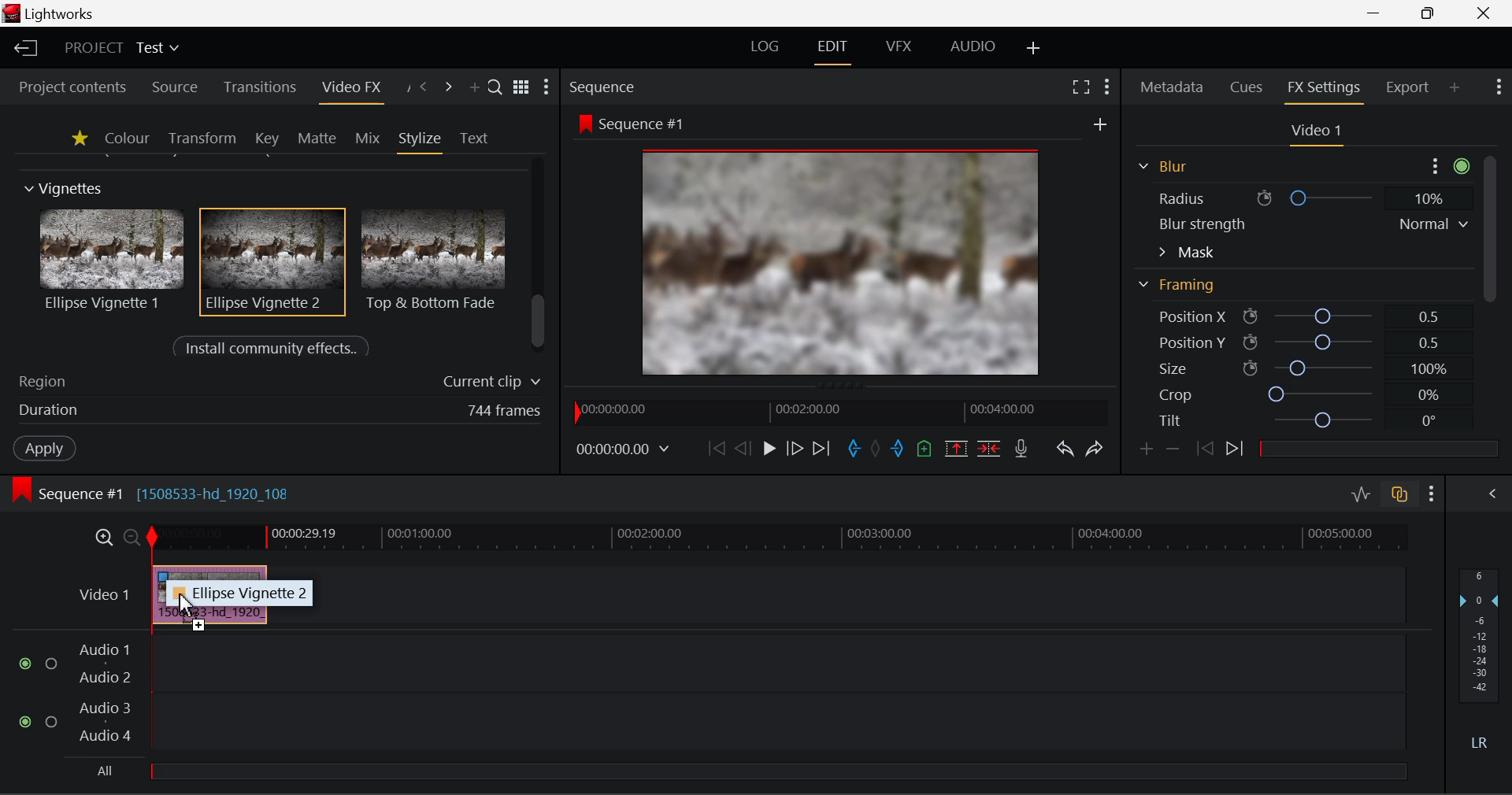  I want to click on Stylize Panel Open, so click(421, 138).